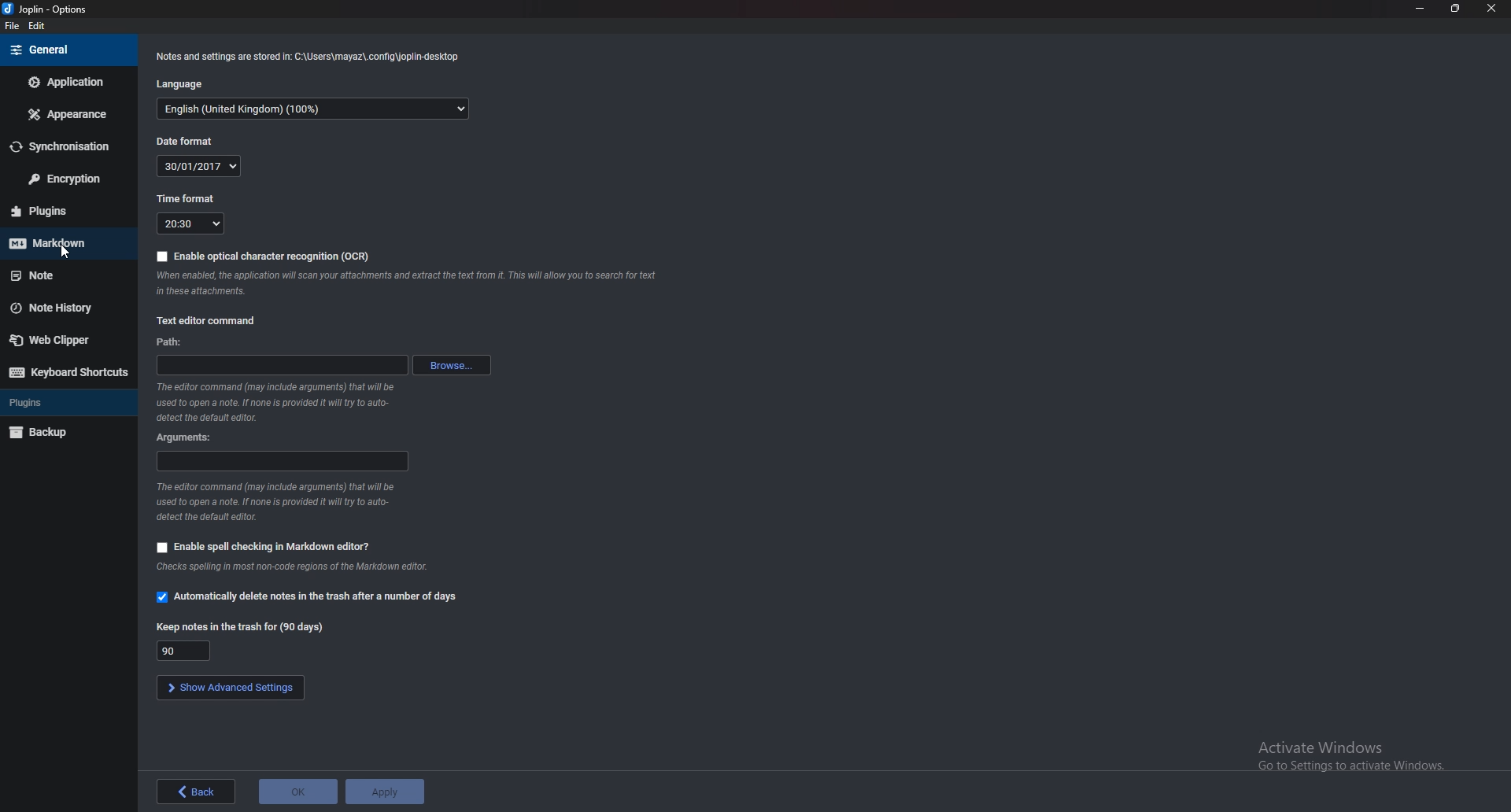  Describe the element at coordinates (63, 433) in the screenshot. I see `Backup` at that location.